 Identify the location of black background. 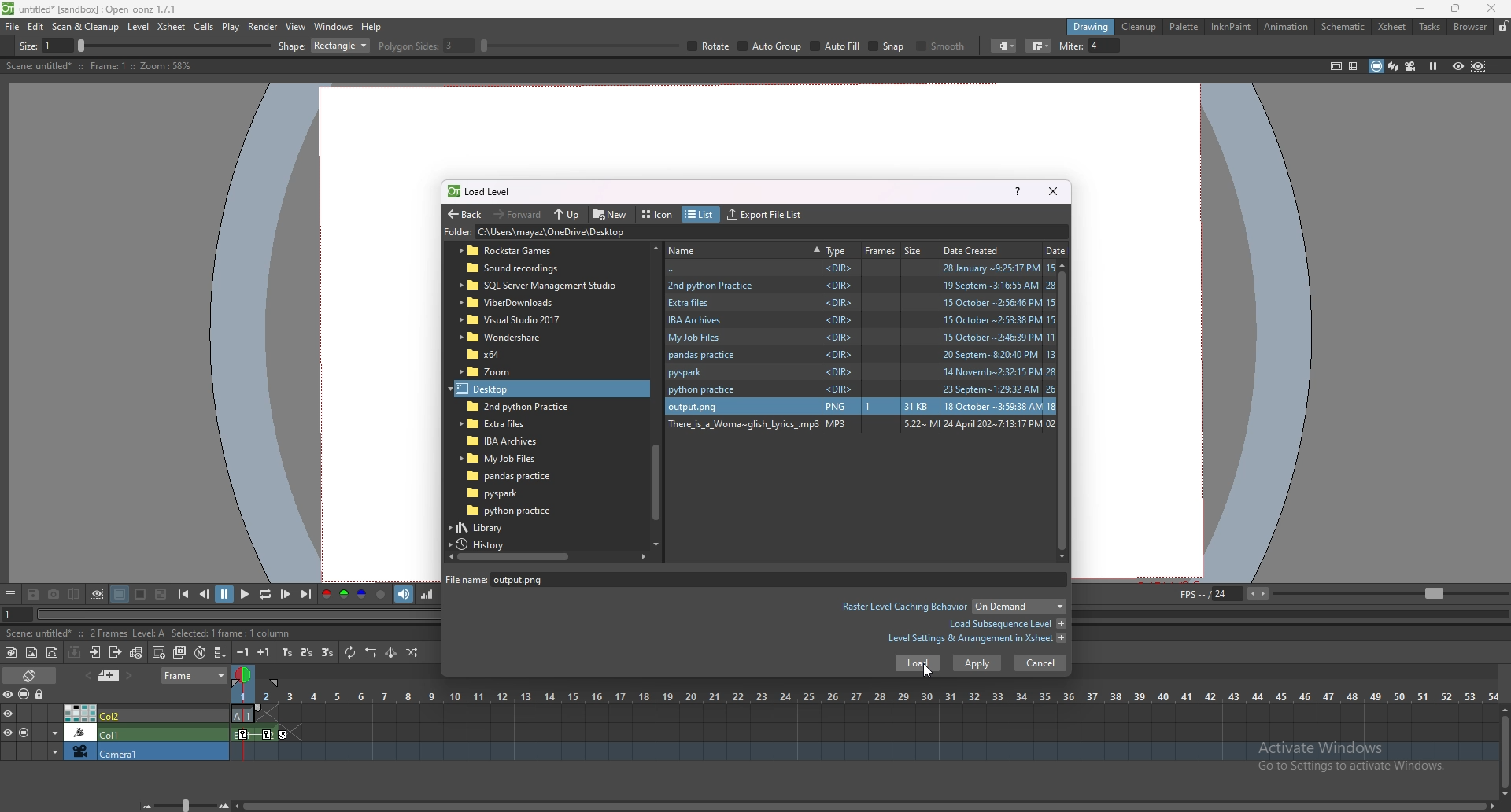
(120, 594).